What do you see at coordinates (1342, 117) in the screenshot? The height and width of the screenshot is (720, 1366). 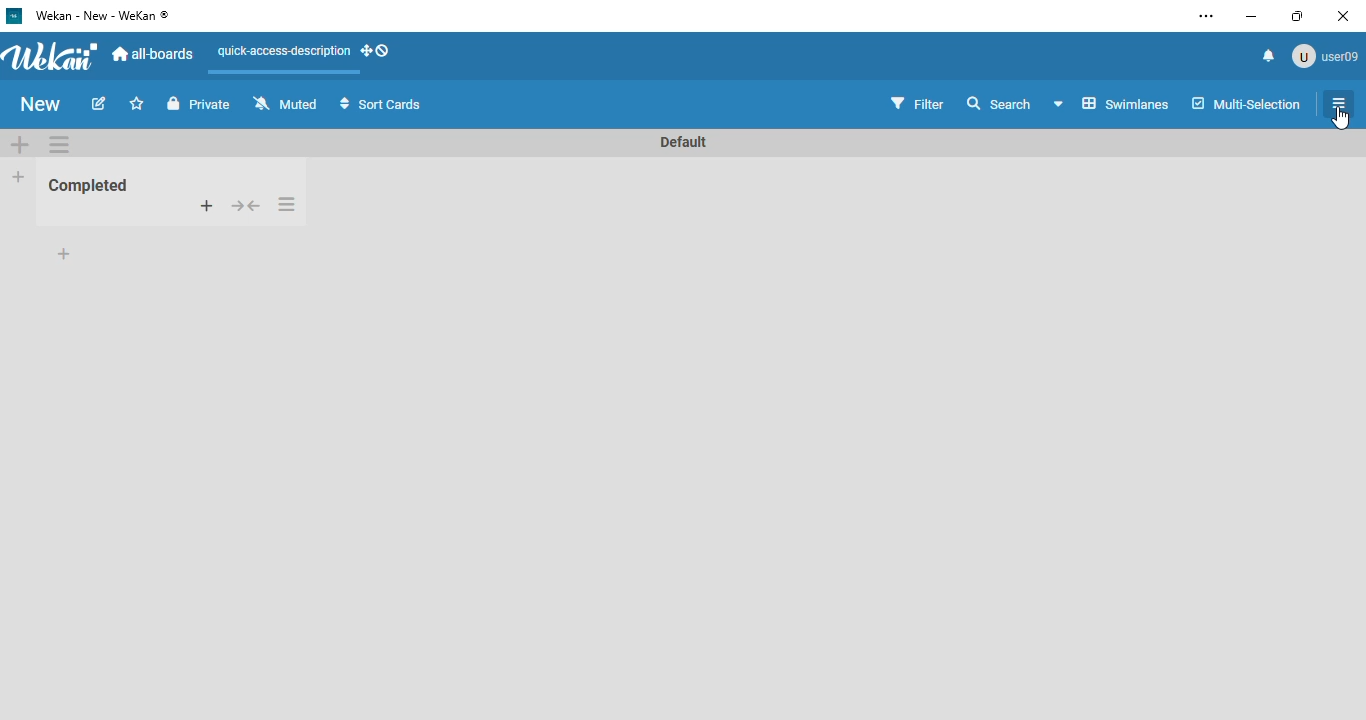 I see `cursor` at bounding box center [1342, 117].